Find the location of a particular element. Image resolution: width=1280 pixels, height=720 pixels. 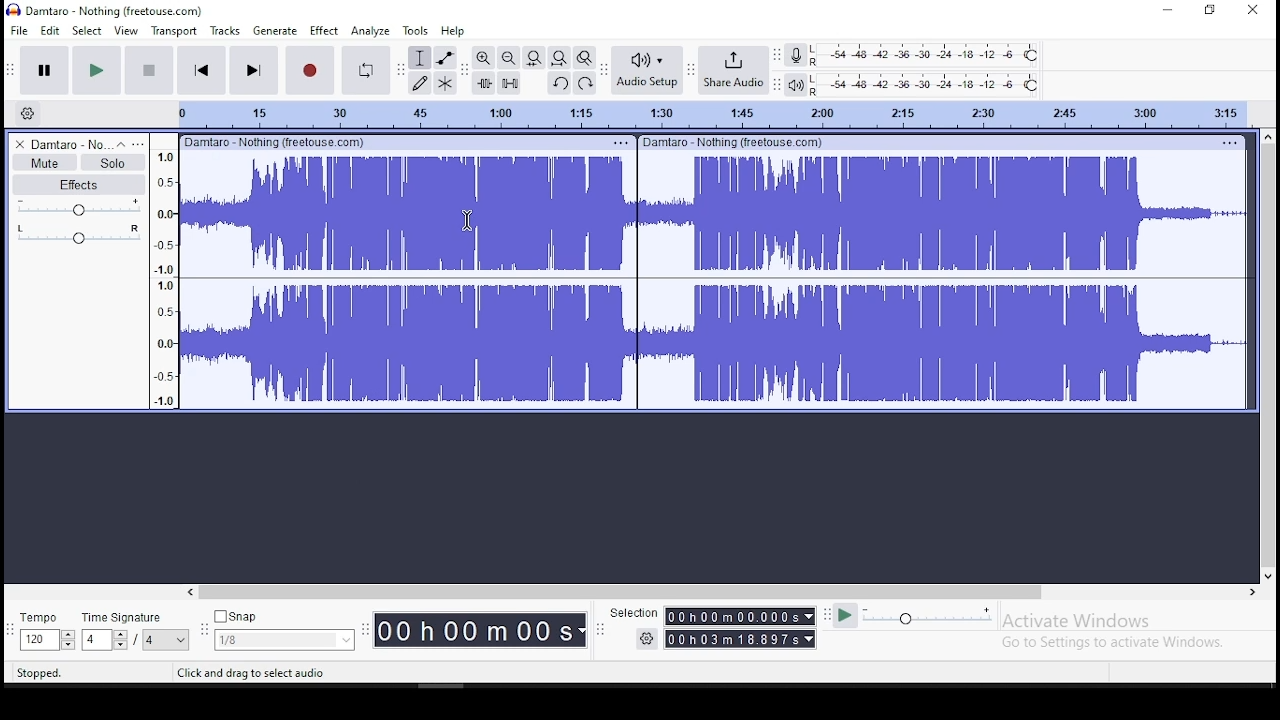

view is located at coordinates (127, 29).